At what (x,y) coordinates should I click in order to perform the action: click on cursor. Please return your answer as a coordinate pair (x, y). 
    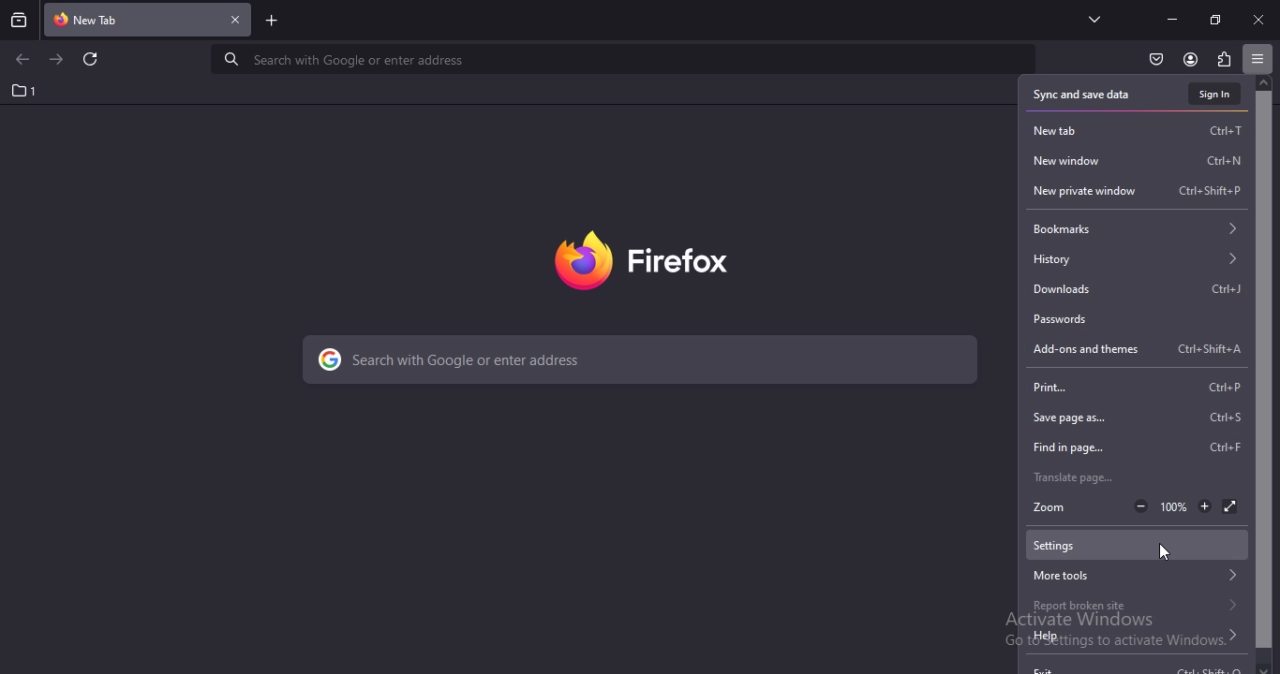
    Looking at the image, I should click on (1162, 553).